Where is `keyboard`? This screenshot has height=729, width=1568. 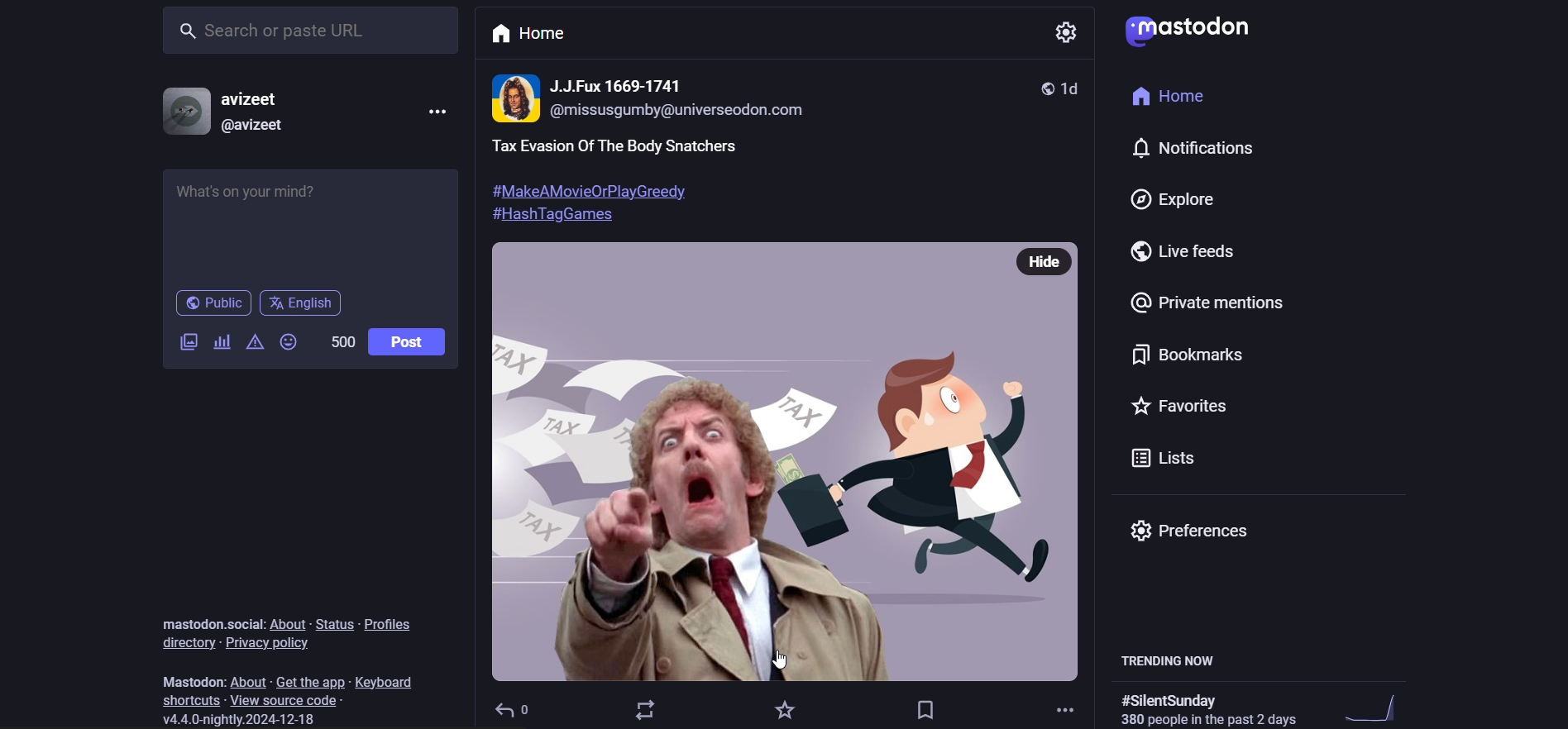 keyboard is located at coordinates (388, 682).